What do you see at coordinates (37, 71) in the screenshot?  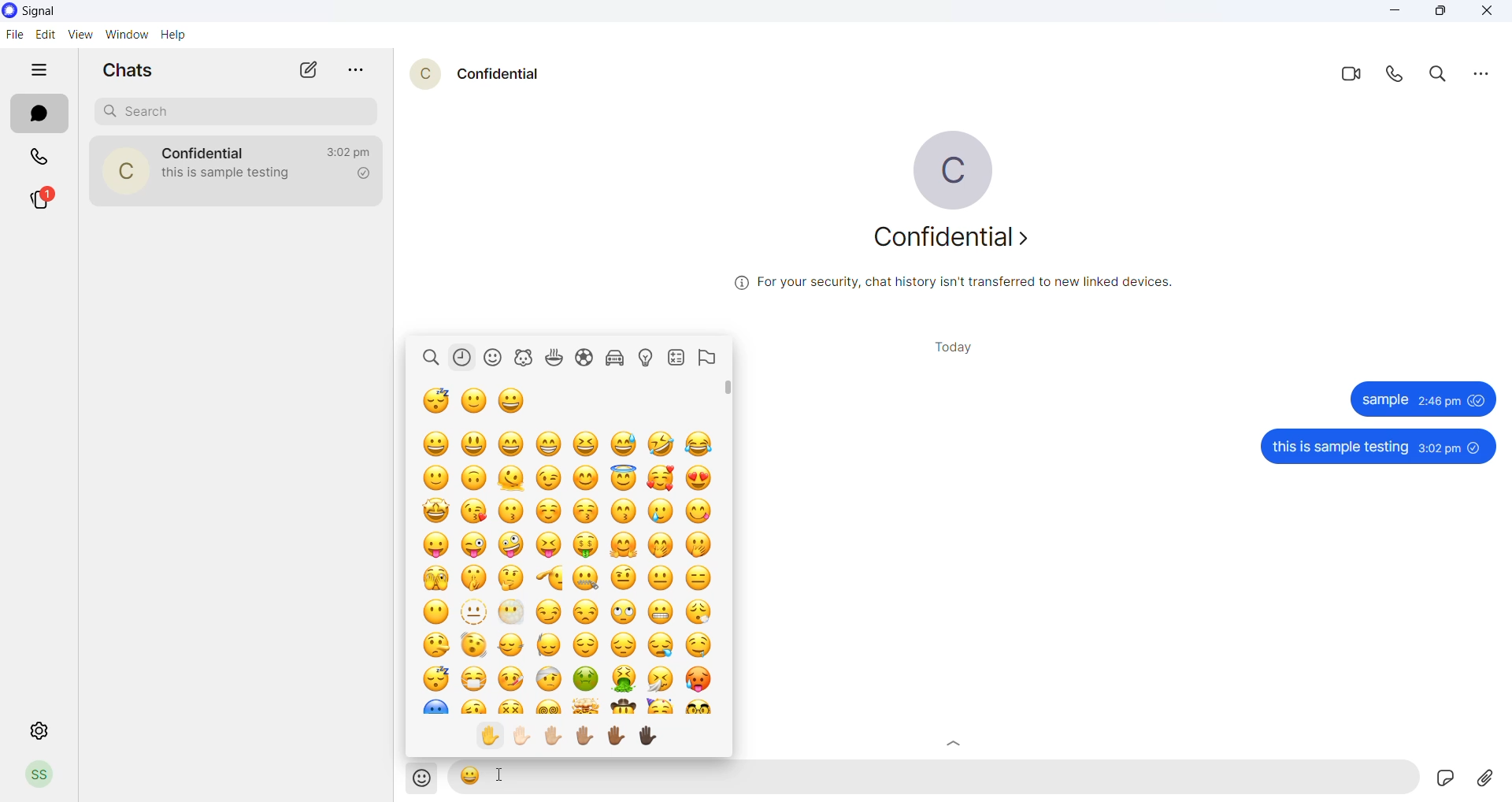 I see `hide` at bounding box center [37, 71].